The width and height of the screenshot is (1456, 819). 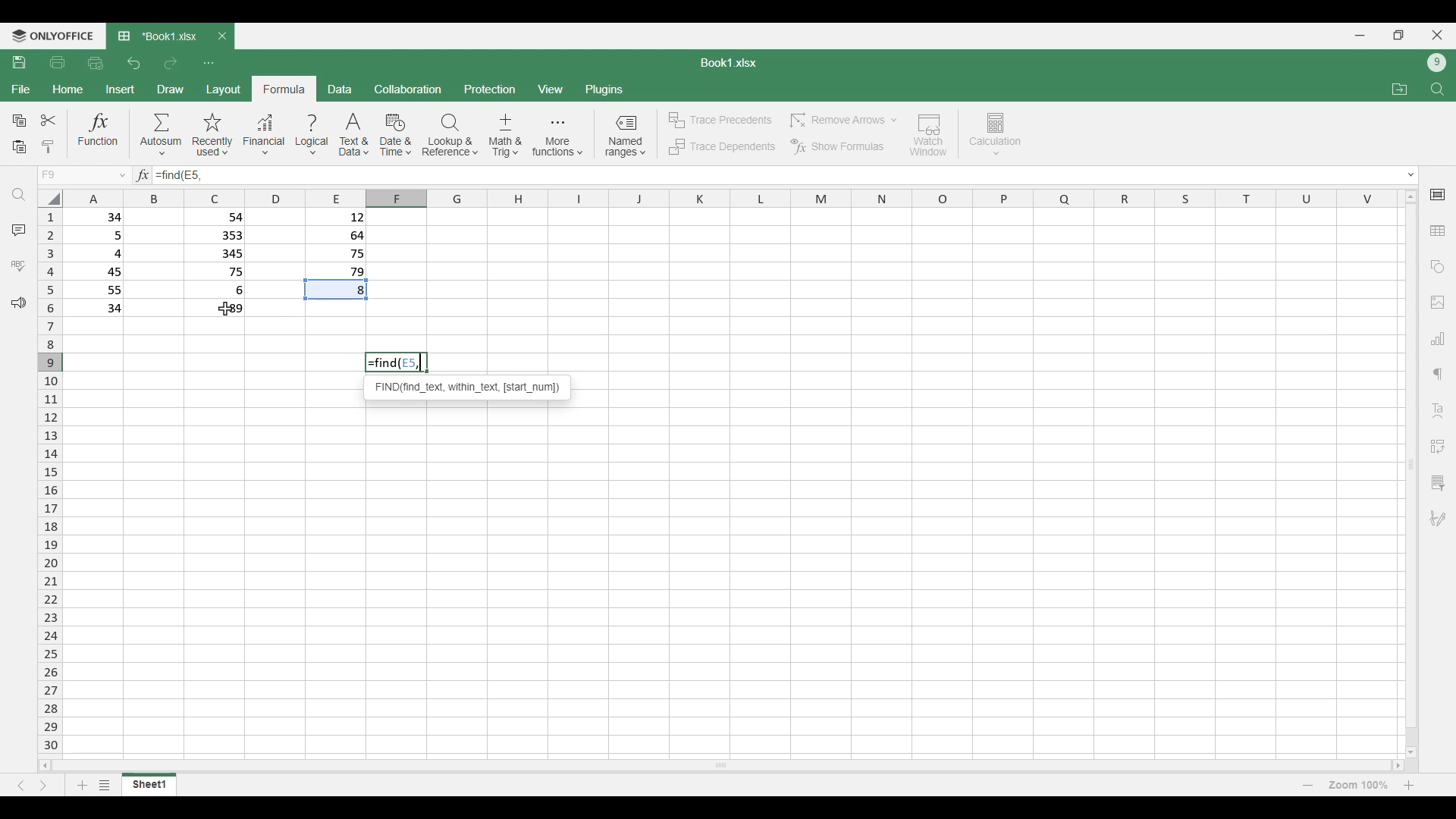 I want to click on Cursor clicking on cell, so click(x=225, y=309).